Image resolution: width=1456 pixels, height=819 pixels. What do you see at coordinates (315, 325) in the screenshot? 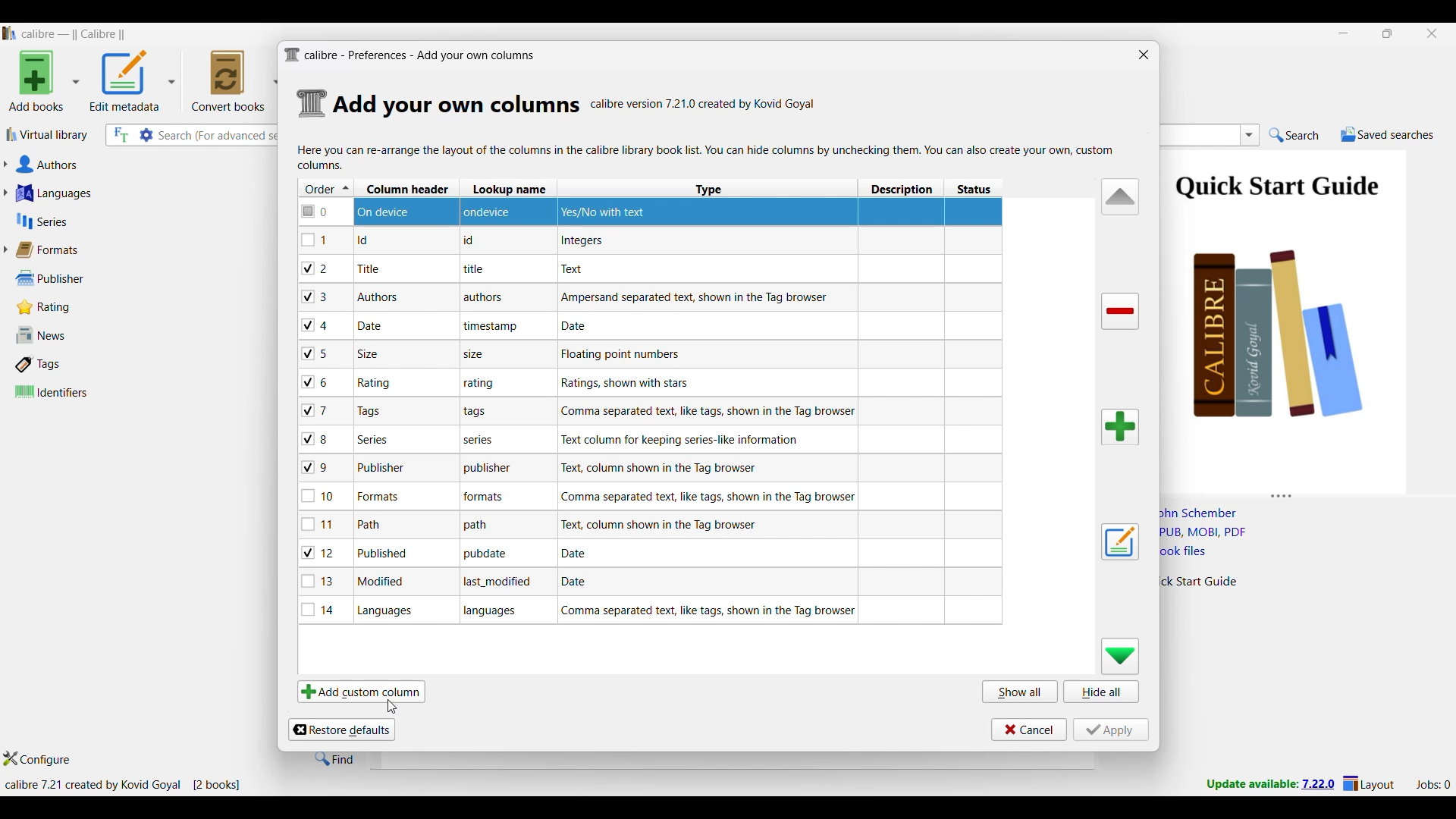
I see `checkbox - 4` at bounding box center [315, 325].